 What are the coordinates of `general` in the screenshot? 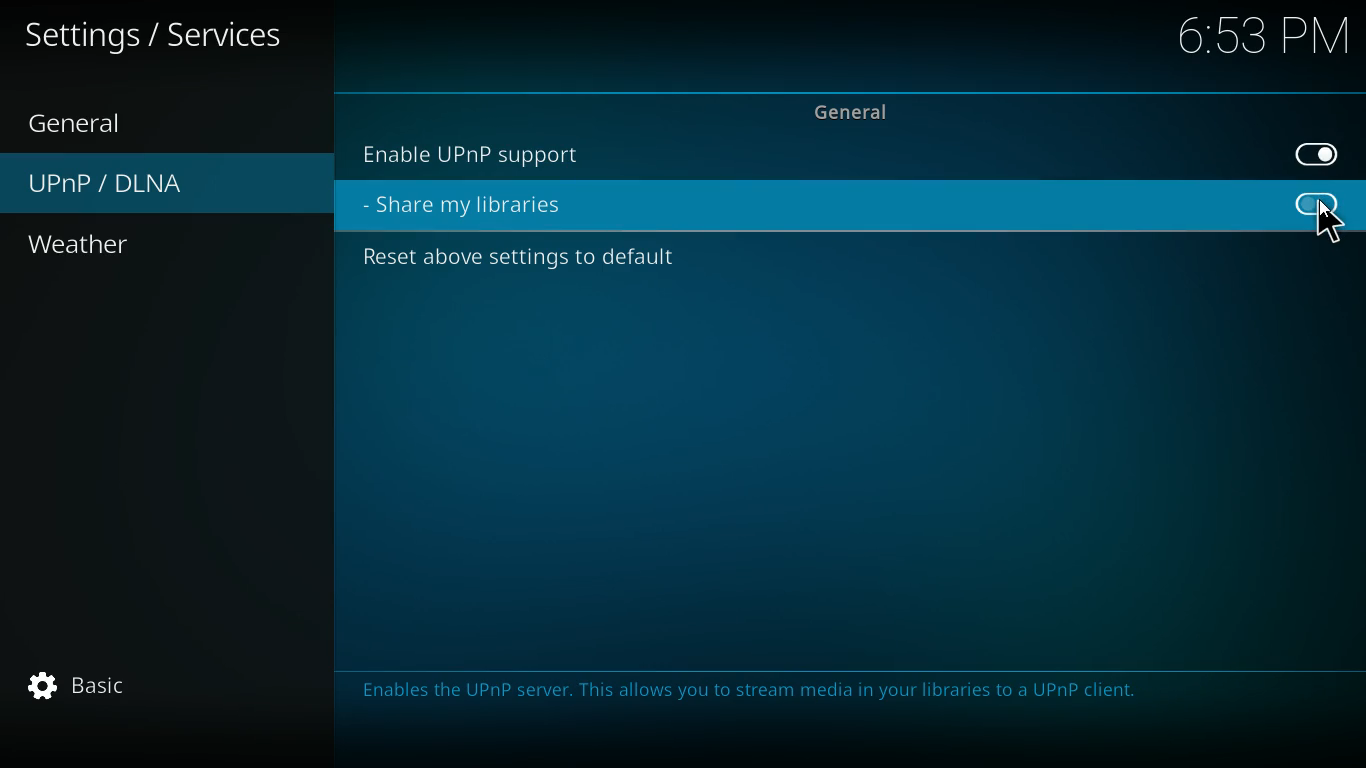 It's located at (87, 118).